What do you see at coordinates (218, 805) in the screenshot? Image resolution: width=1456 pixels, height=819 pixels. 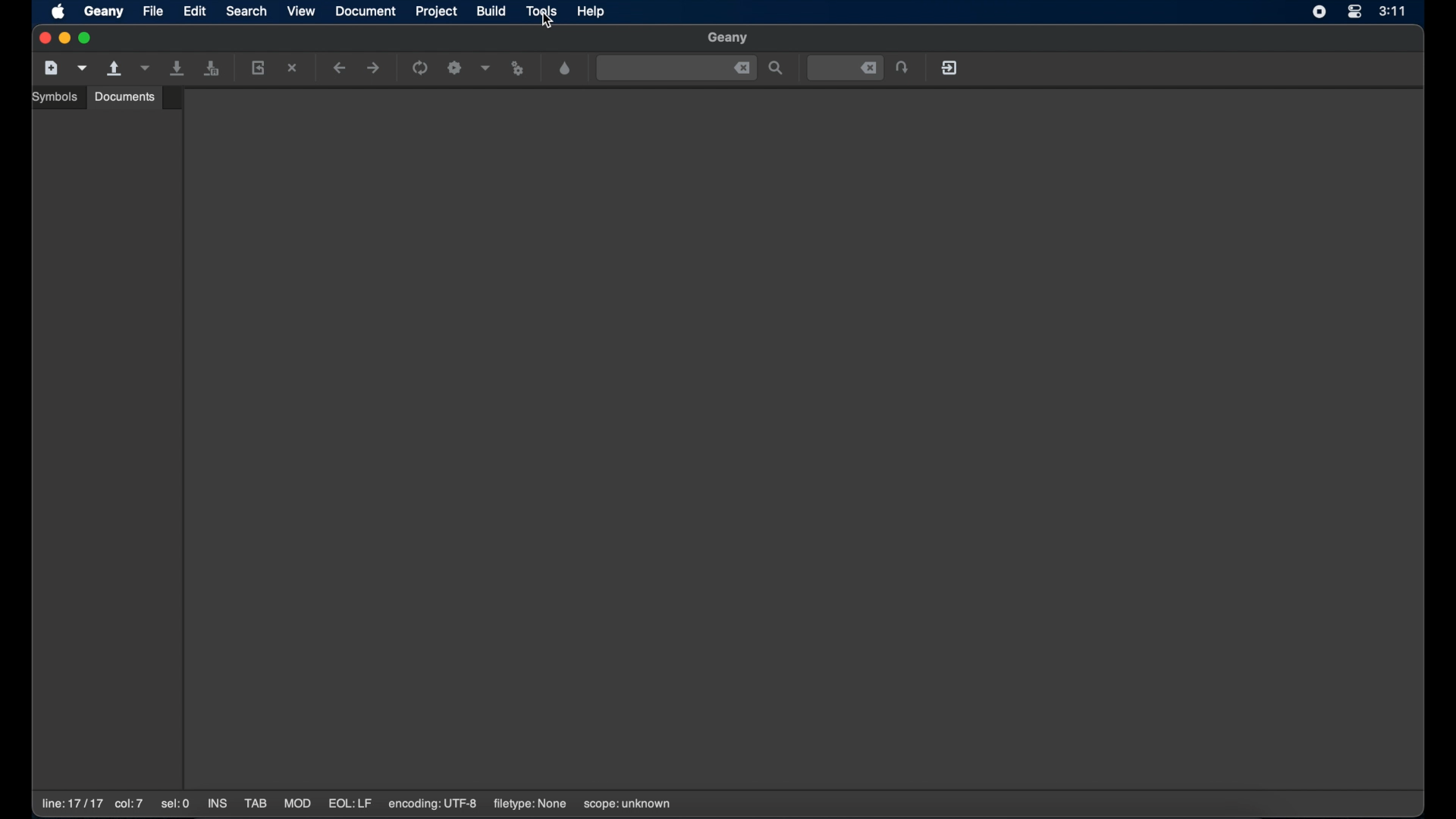 I see `INS` at bounding box center [218, 805].